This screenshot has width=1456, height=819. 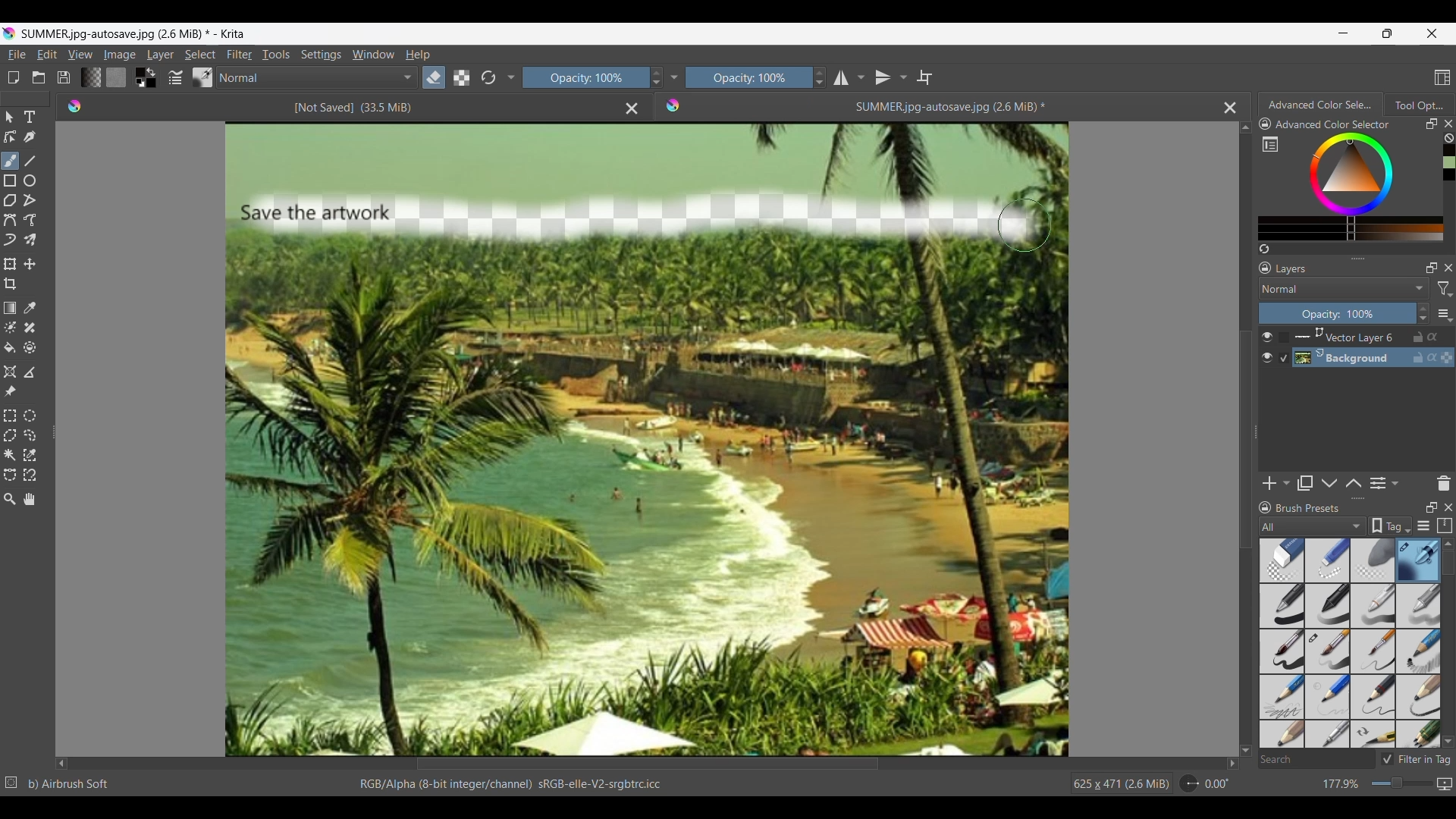 What do you see at coordinates (1189, 783) in the screenshot?
I see `Dial to change rotation` at bounding box center [1189, 783].